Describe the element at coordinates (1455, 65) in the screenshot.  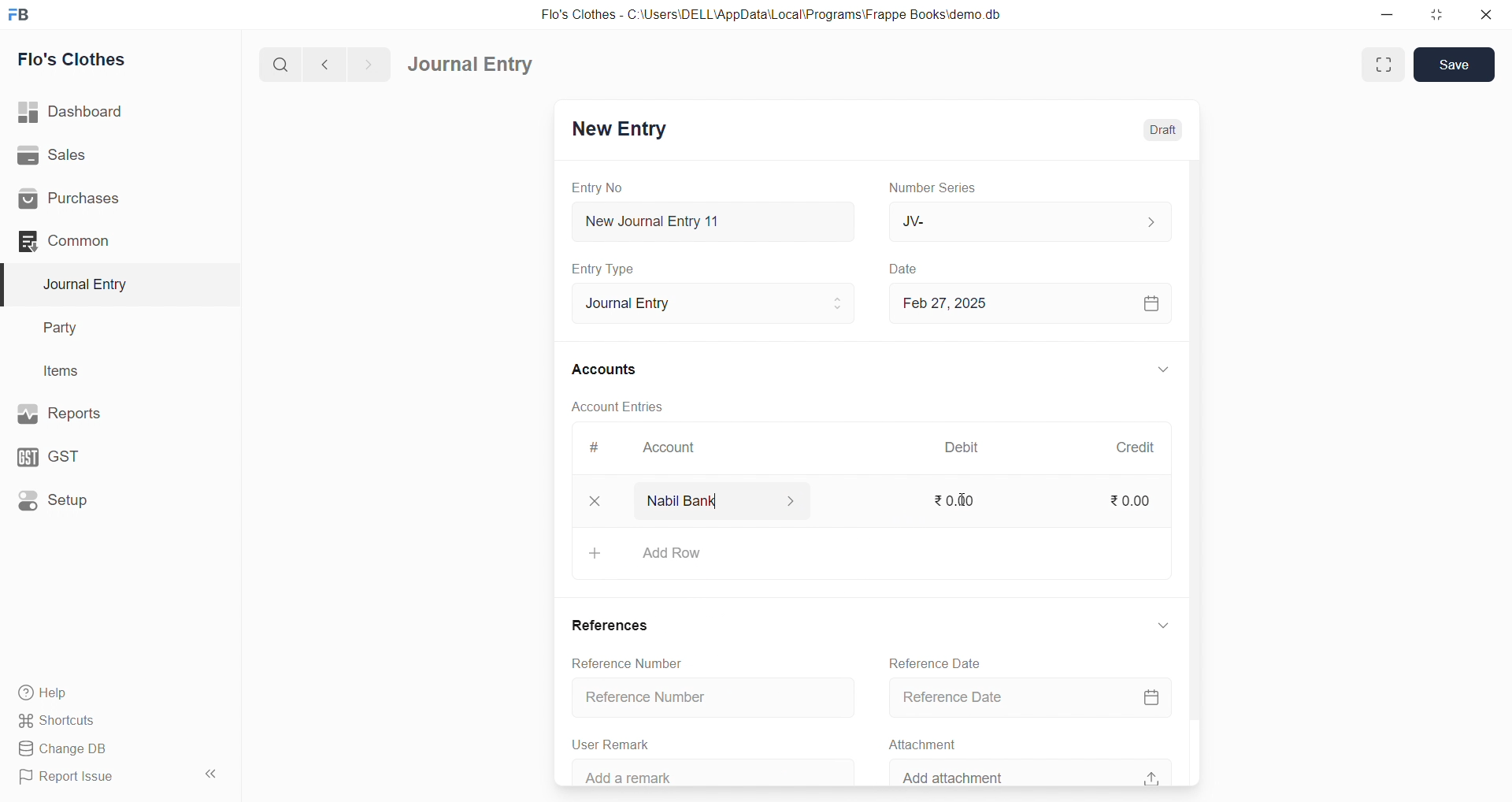
I see `Save` at that location.